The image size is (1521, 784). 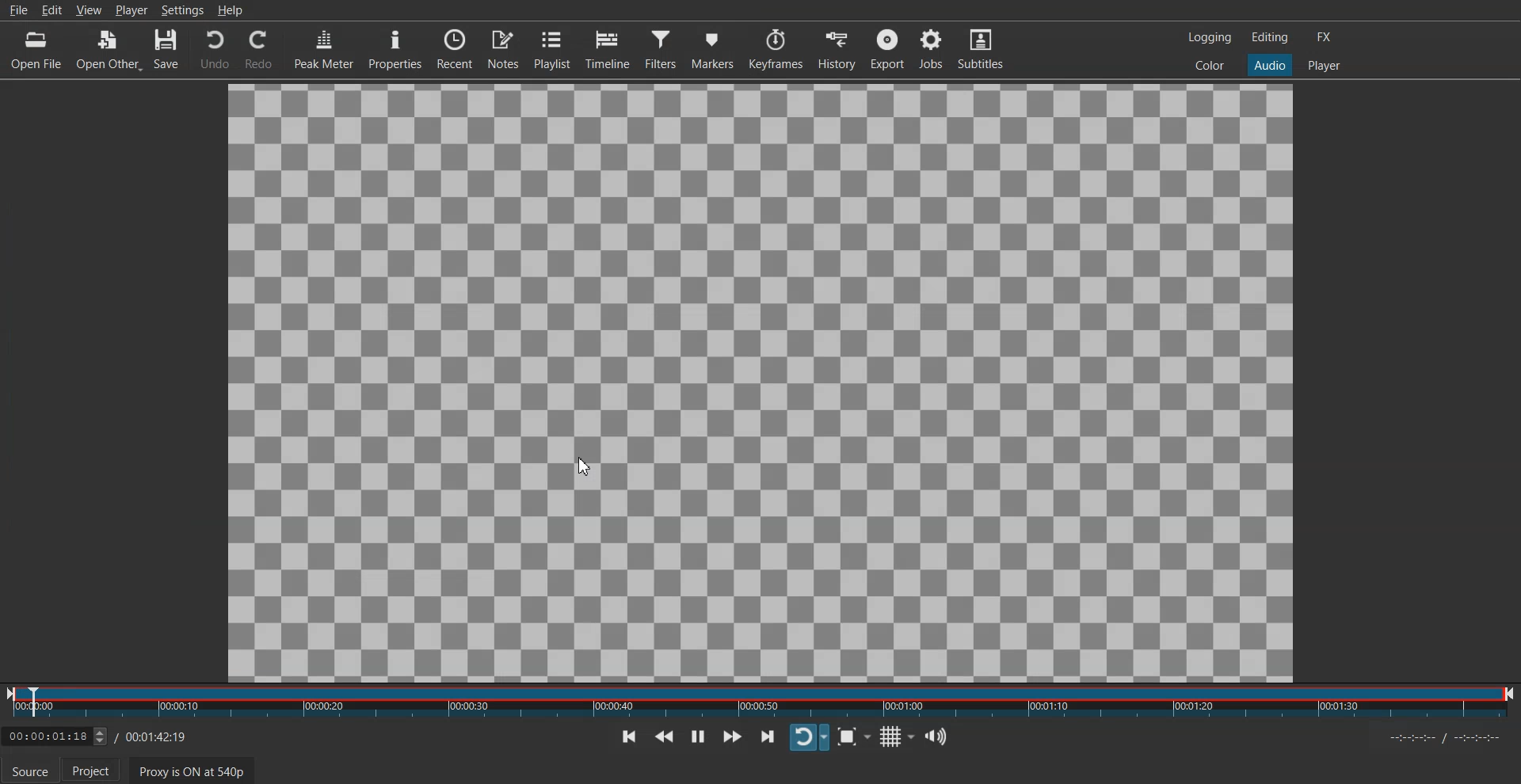 I want to click on Help, so click(x=230, y=10).